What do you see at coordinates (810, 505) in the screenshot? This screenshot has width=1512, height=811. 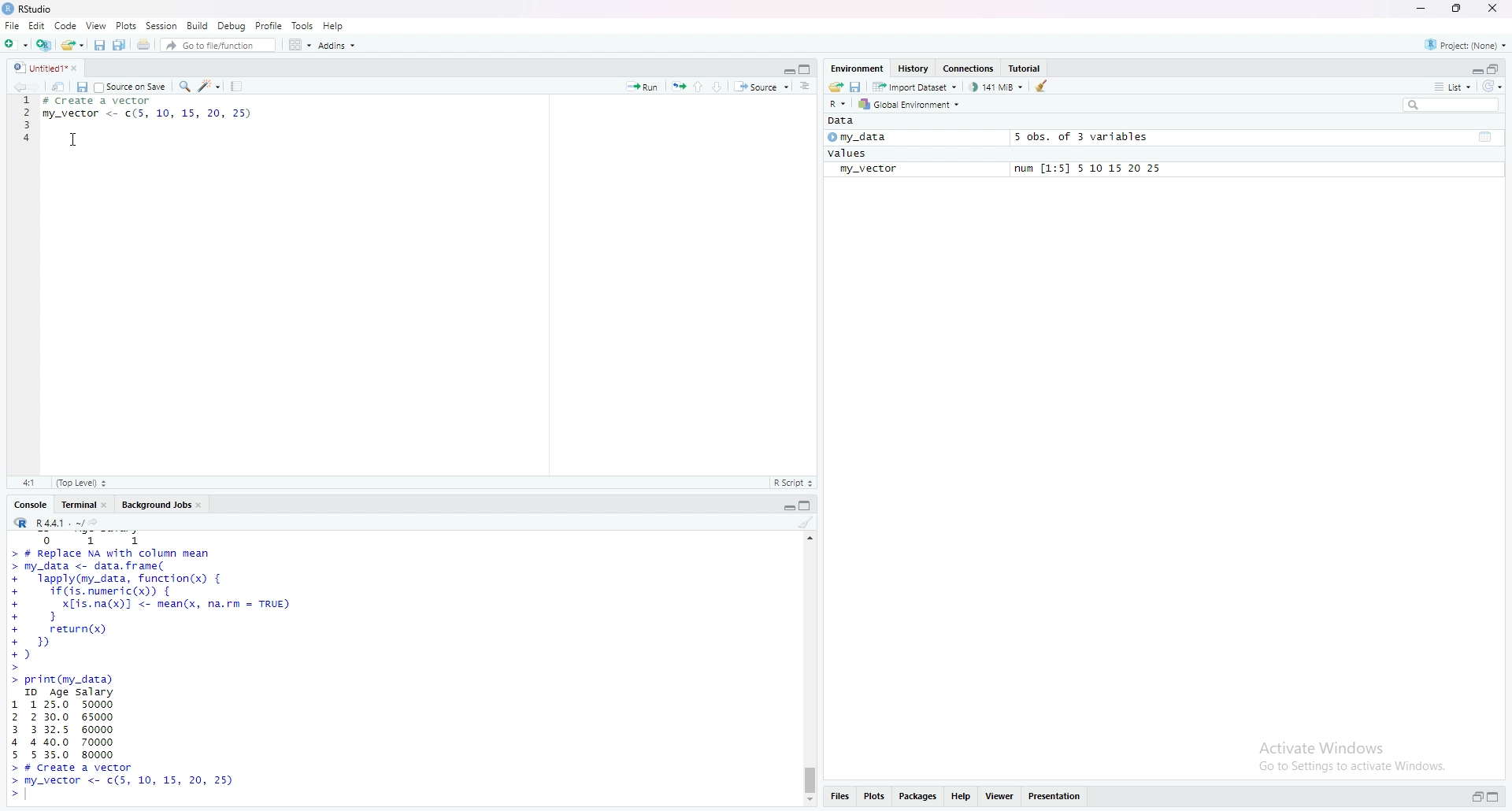 I see `collapse` at bounding box center [810, 505].